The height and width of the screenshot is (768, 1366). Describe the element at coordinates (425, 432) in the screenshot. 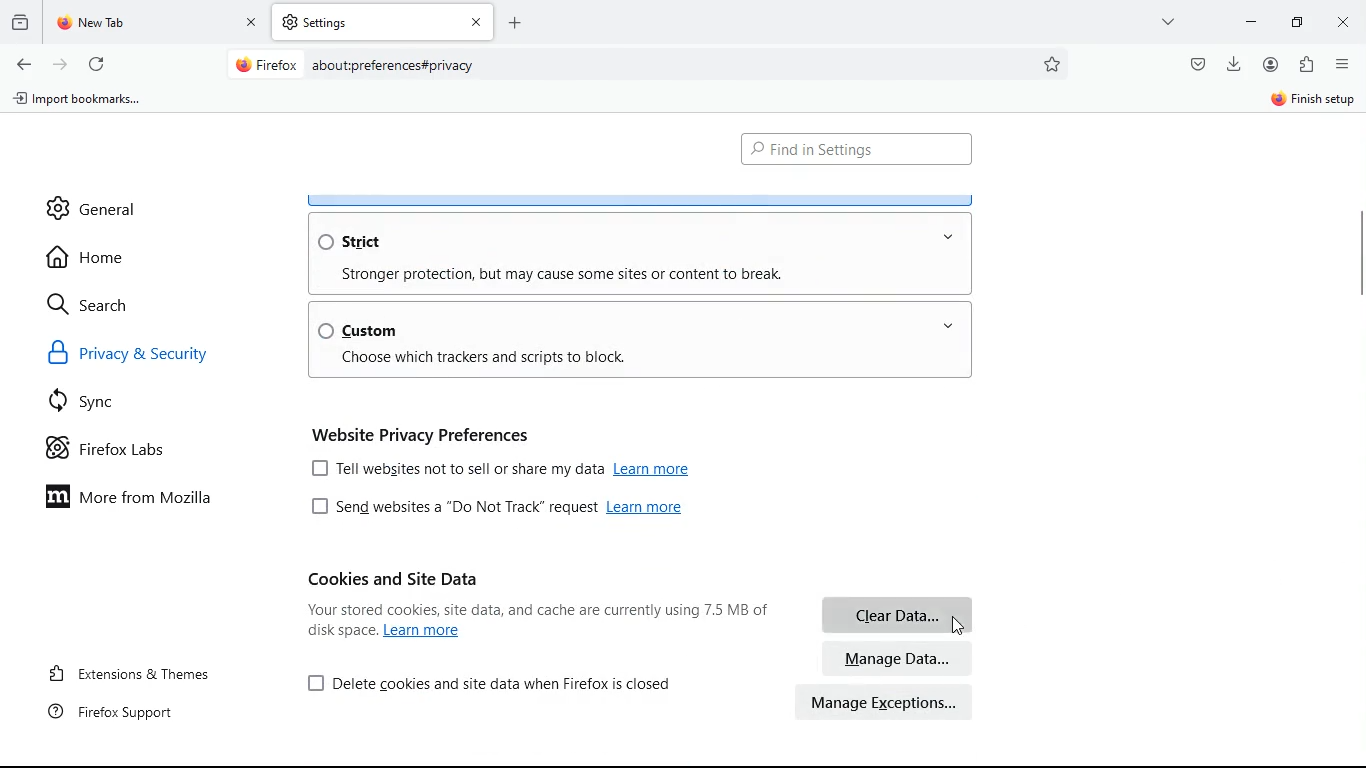

I see `website privacy preferences` at that location.